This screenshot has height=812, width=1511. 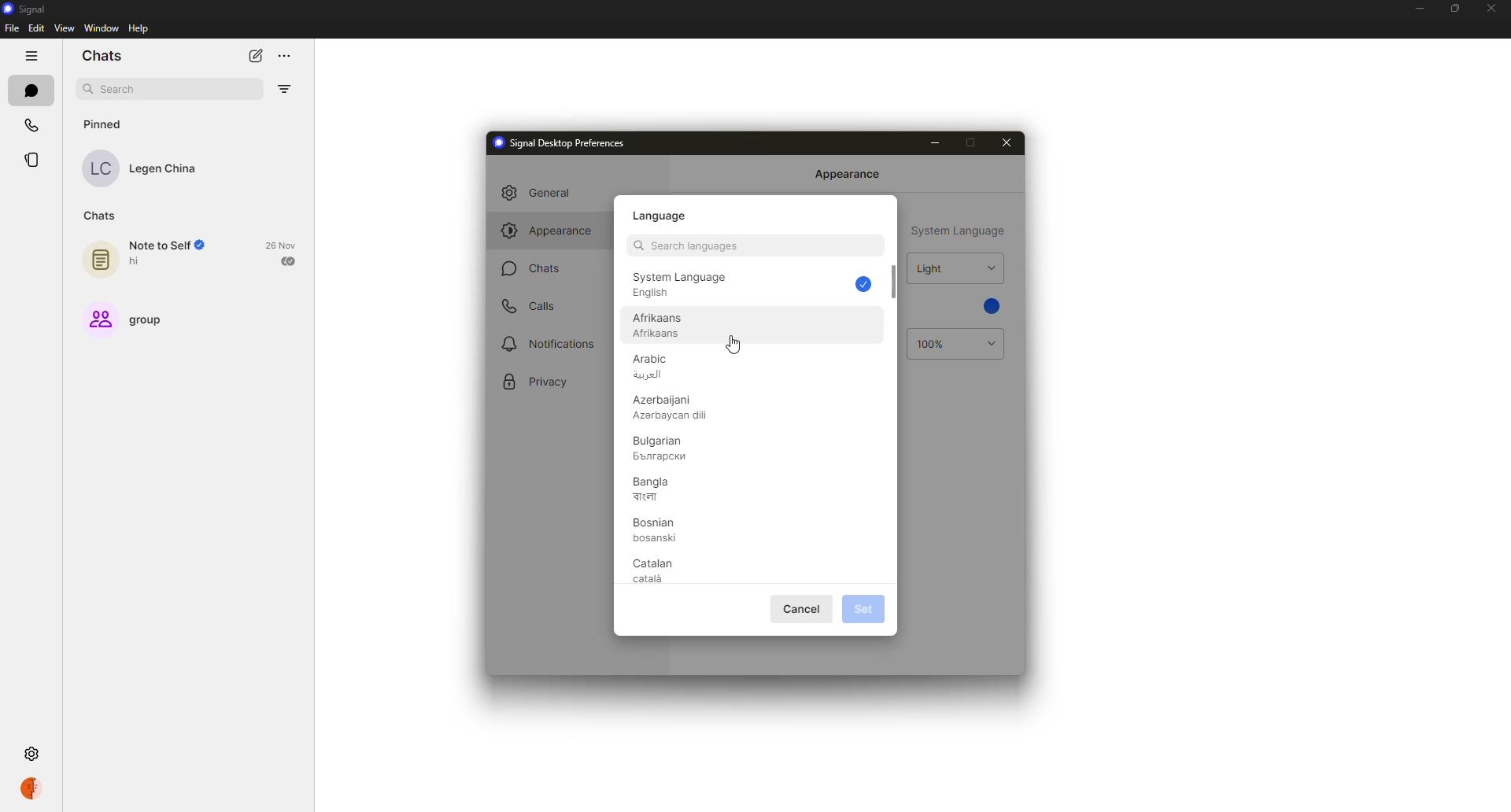 What do you see at coordinates (655, 570) in the screenshot?
I see `catalan` at bounding box center [655, 570].